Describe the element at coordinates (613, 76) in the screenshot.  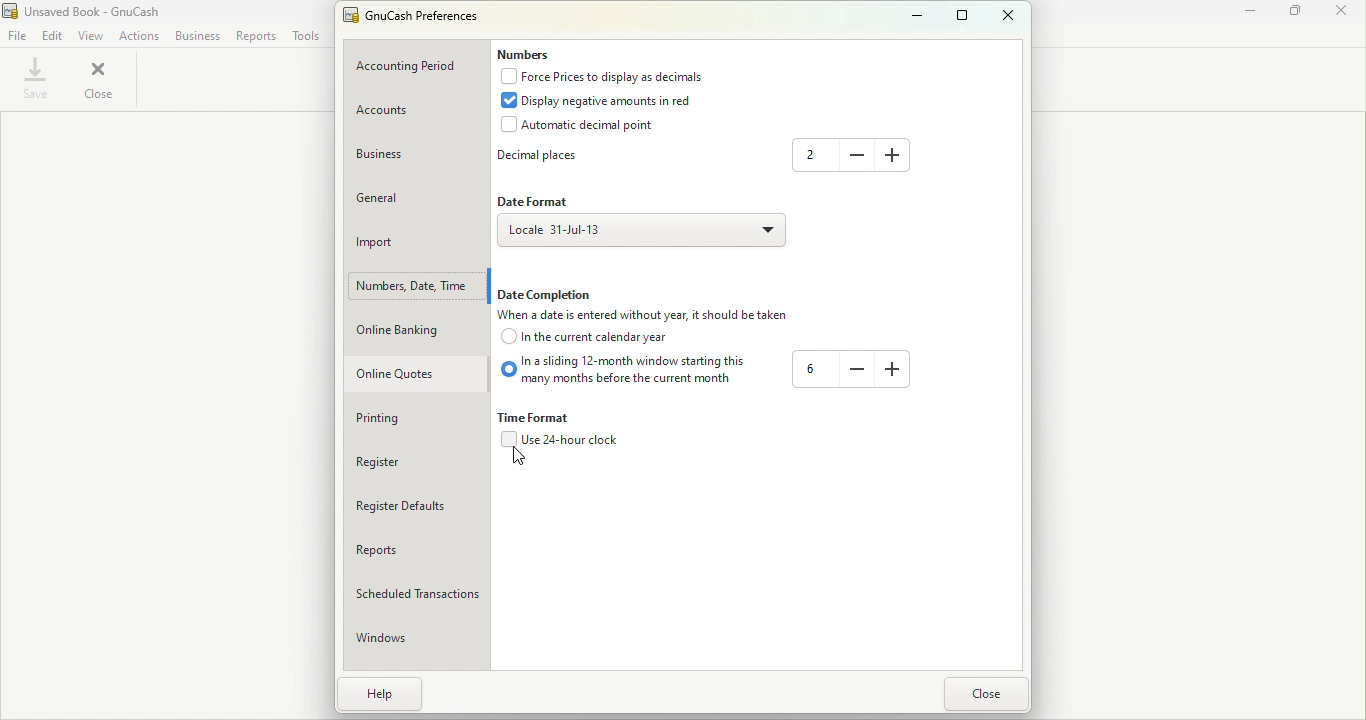
I see `Force prices to display as decimals` at that location.